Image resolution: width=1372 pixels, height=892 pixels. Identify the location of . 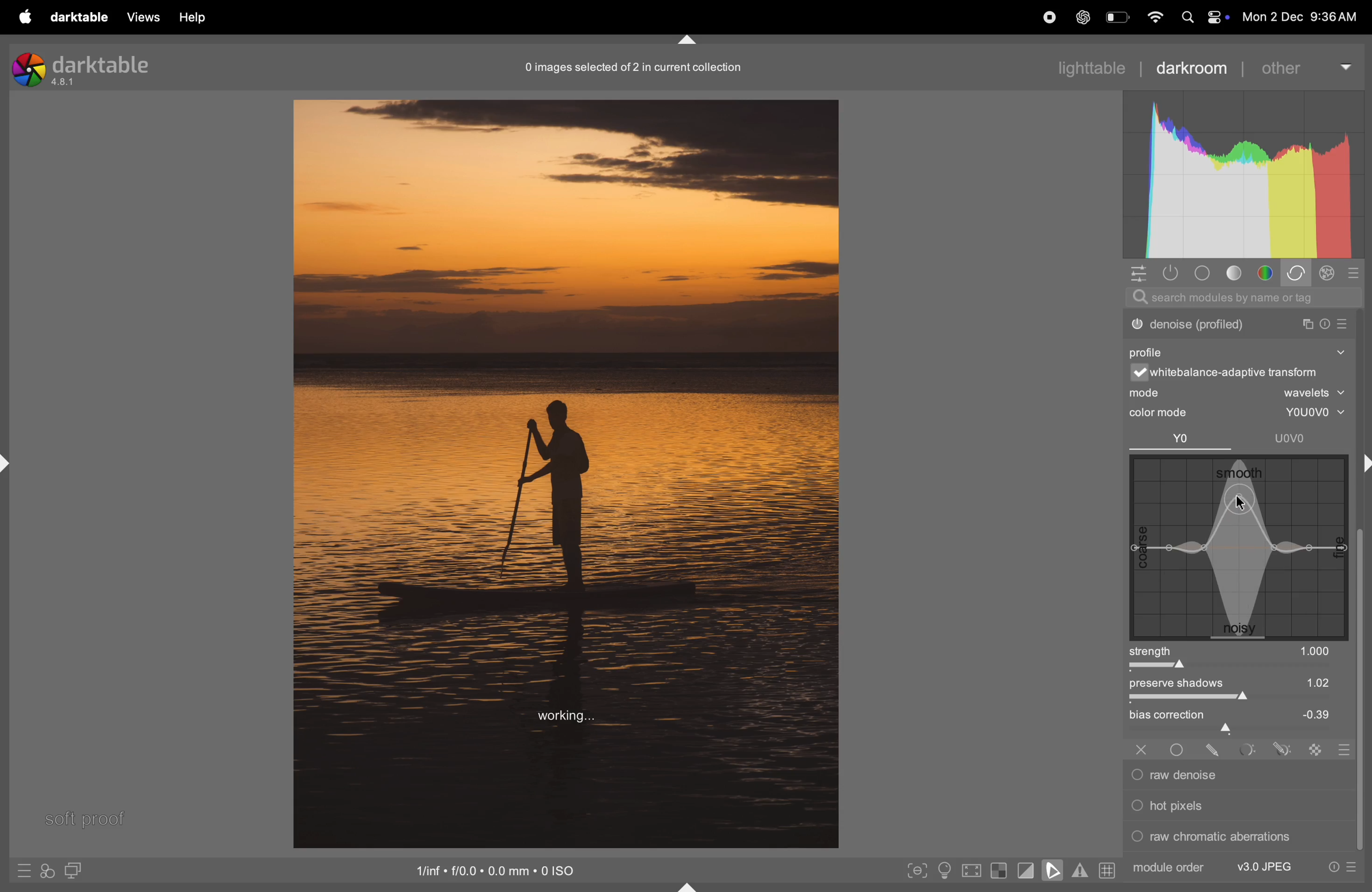
(1246, 749).